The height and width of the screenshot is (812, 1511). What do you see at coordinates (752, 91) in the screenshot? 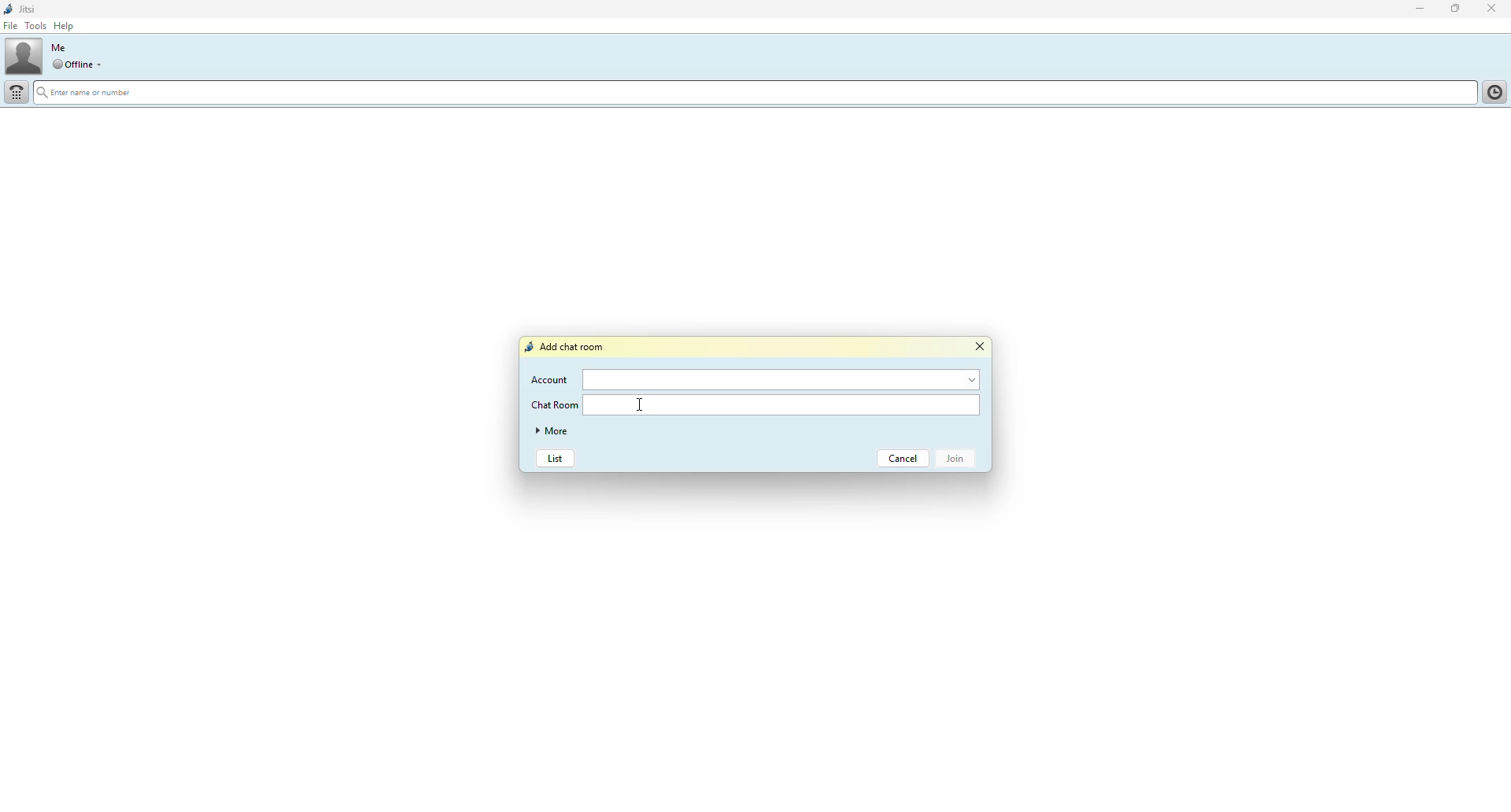
I see `search name` at bounding box center [752, 91].